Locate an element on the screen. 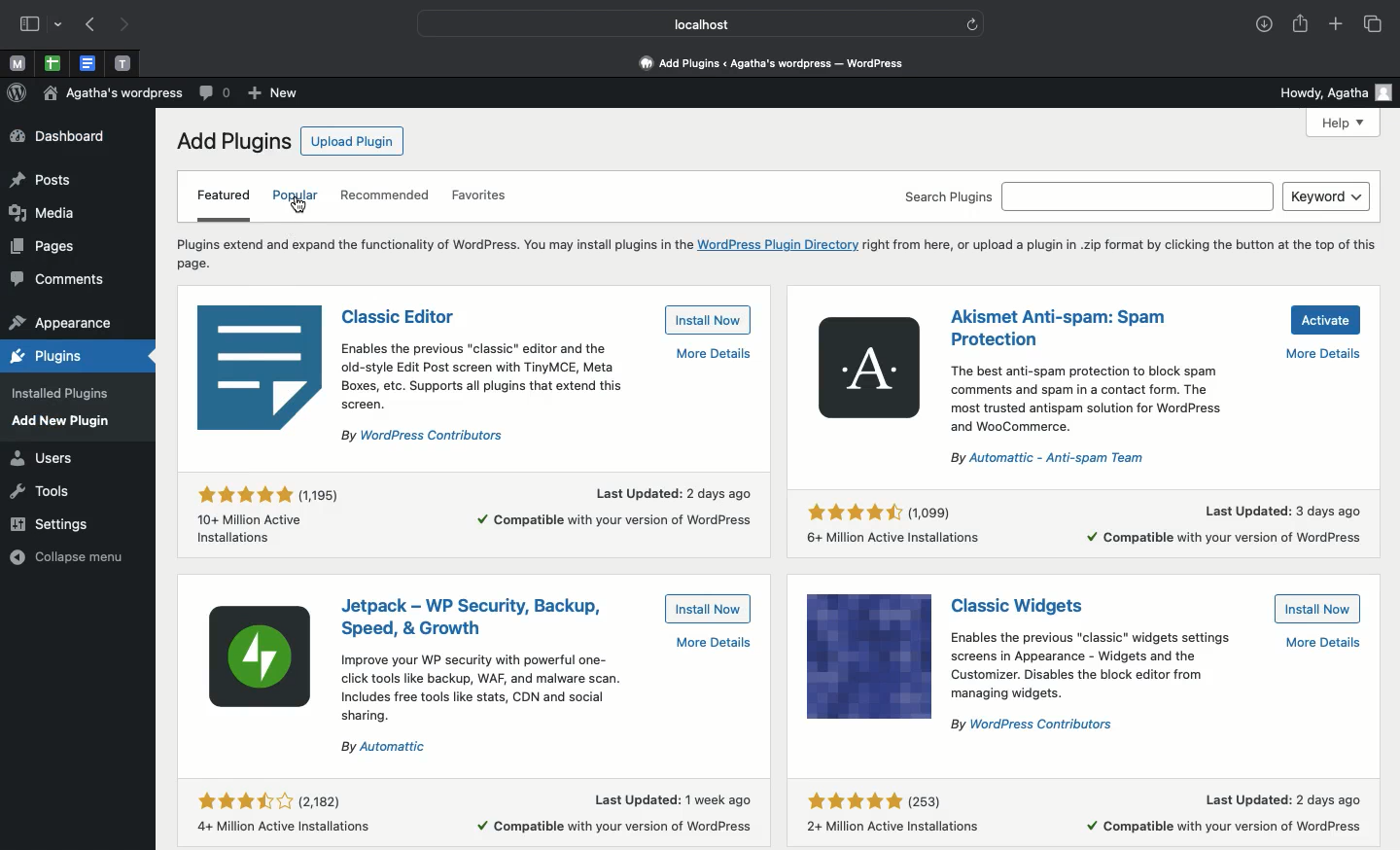 The width and height of the screenshot is (1400, 850). Add new tab is located at coordinates (1336, 24).